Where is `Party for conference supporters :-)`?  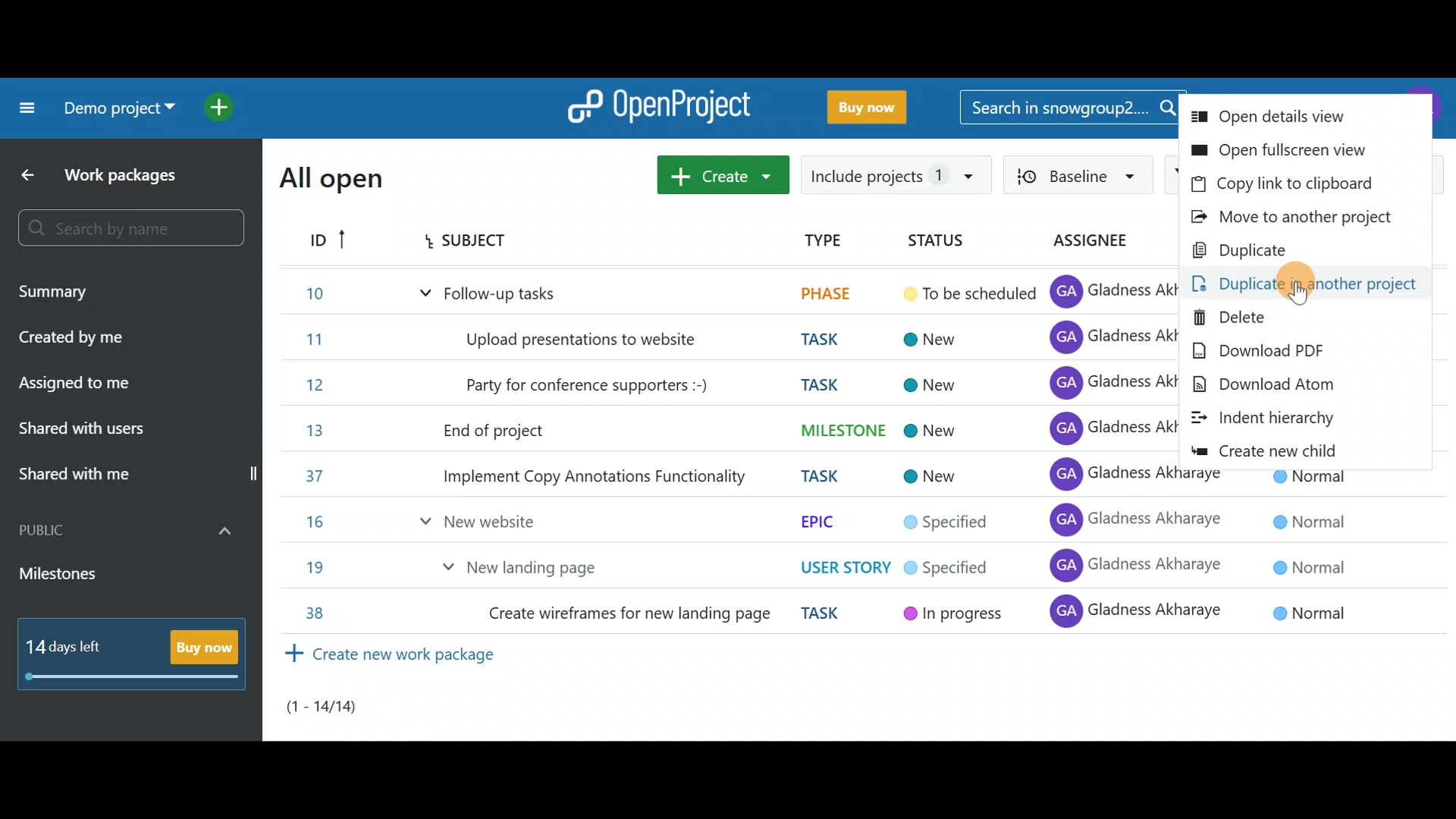
Party for conference supporters :-) is located at coordinates (591, 385).